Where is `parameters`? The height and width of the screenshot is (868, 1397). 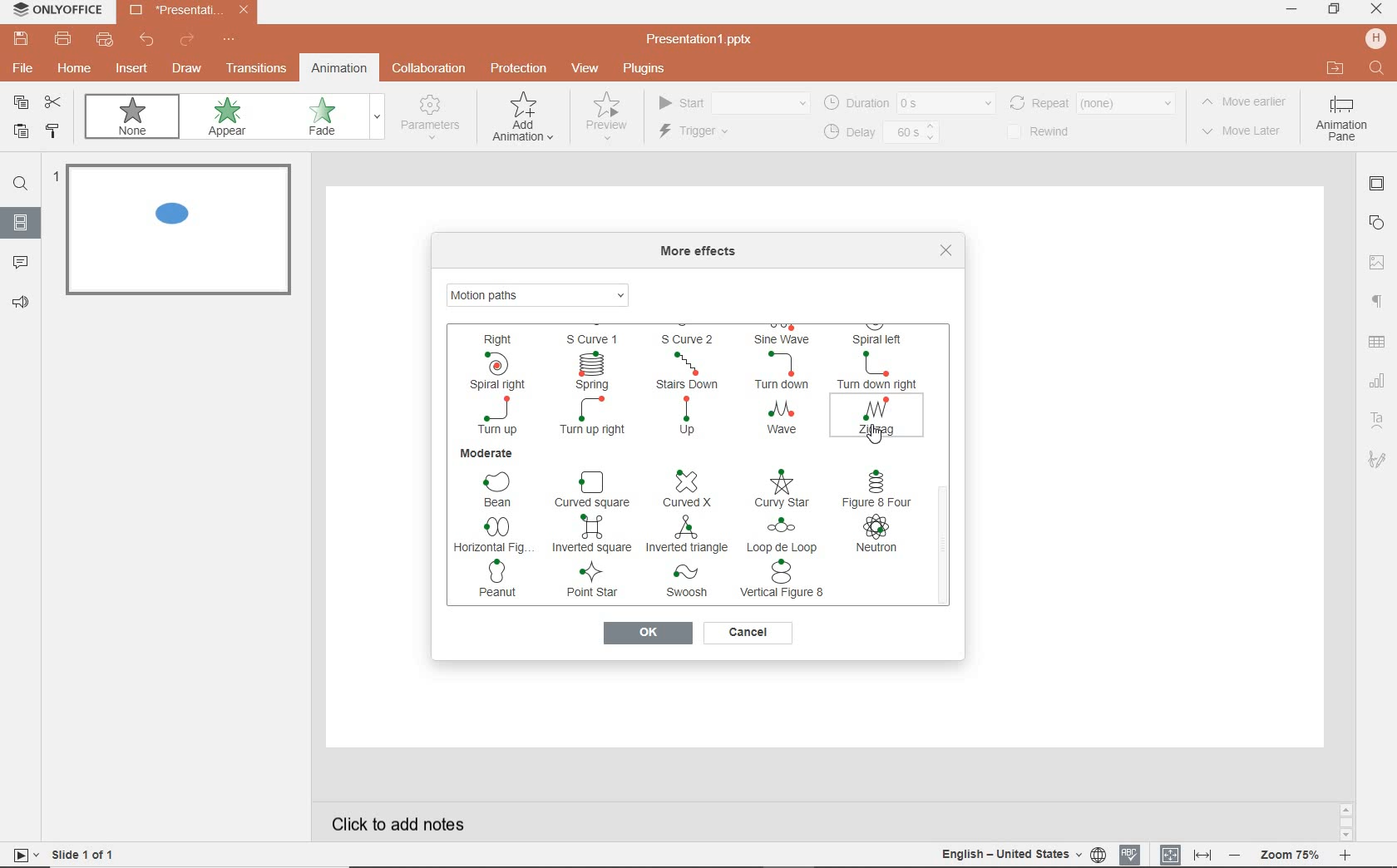
parameters is located at coordinates (434, 118).